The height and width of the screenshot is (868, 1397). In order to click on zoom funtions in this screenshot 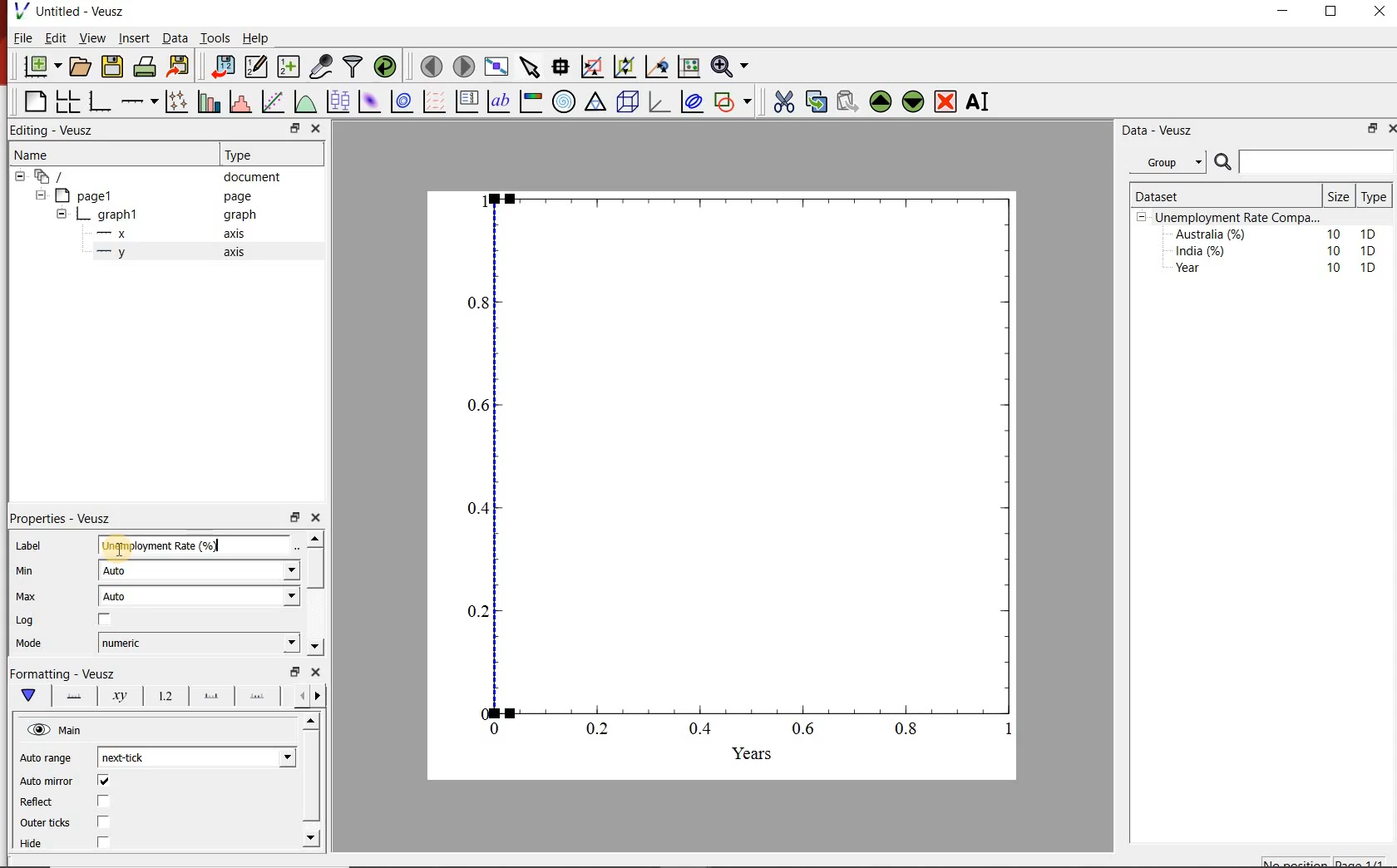, I will do `click(733, 65)`.